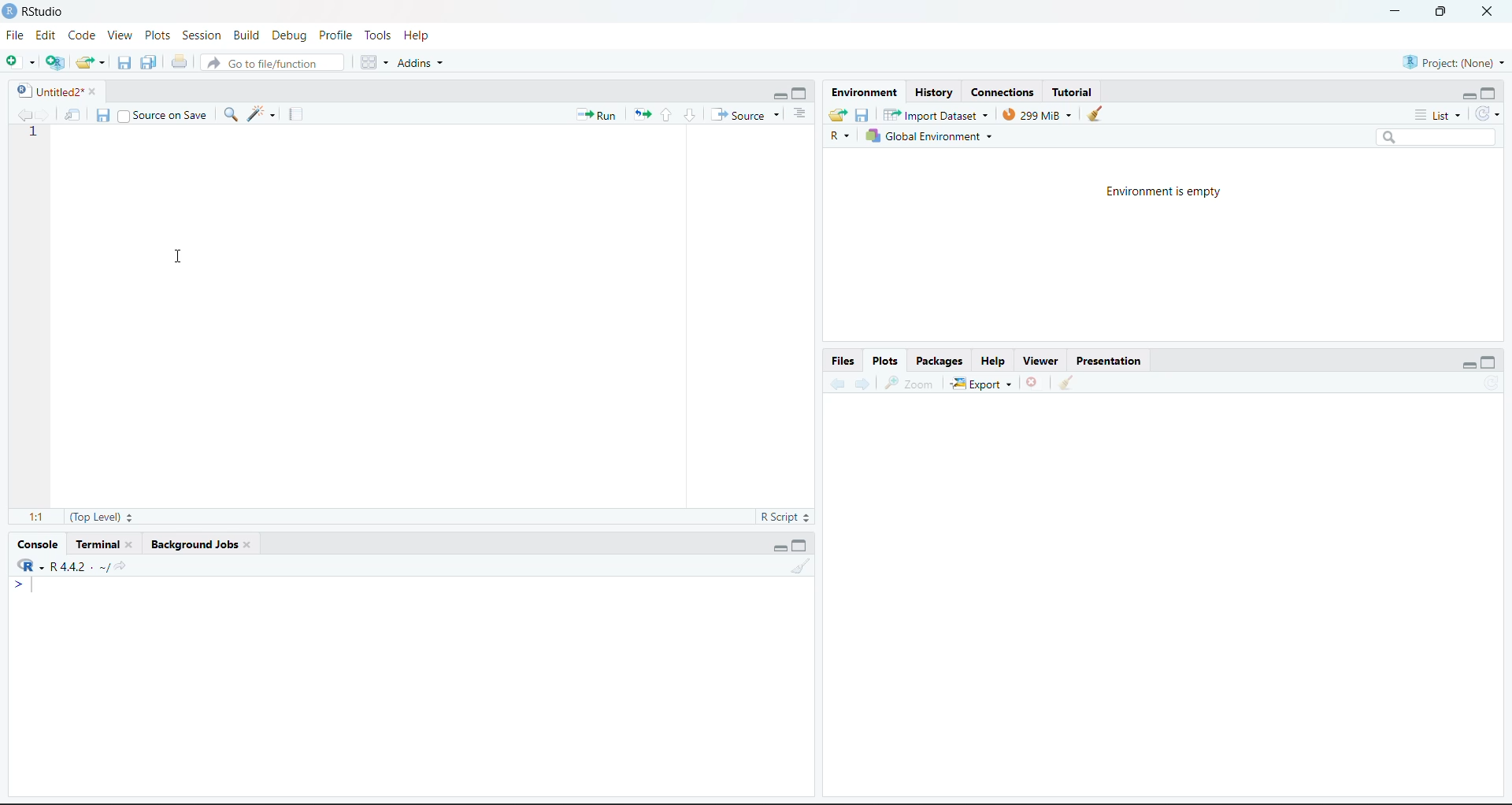  Describe the element at coordinates (862, 115) in the screenshot. I see `save workspace as` at that location.